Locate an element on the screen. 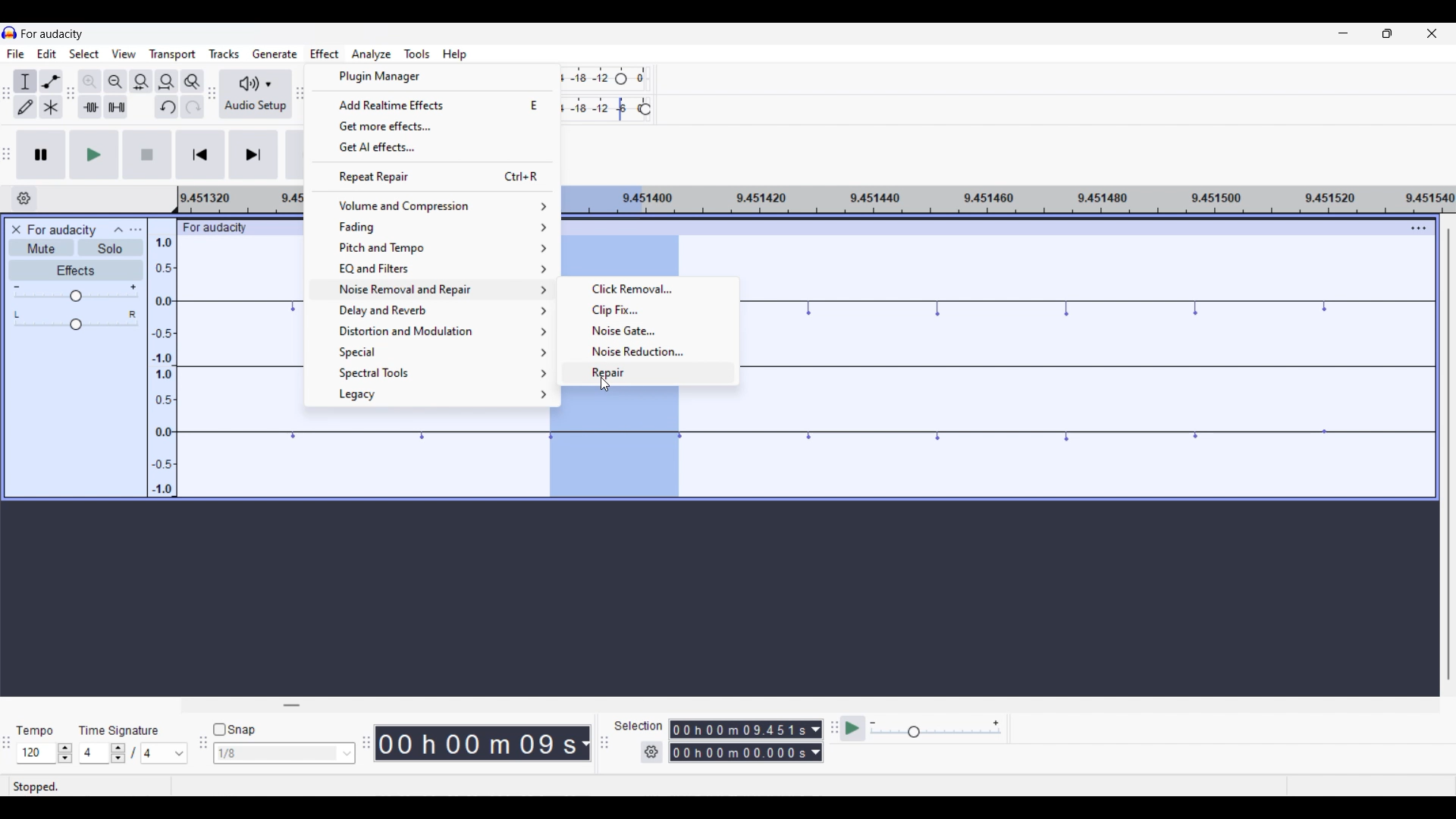 The image size is (1456, 819). Show in smaller tab is located at coordinates (1387, 33).